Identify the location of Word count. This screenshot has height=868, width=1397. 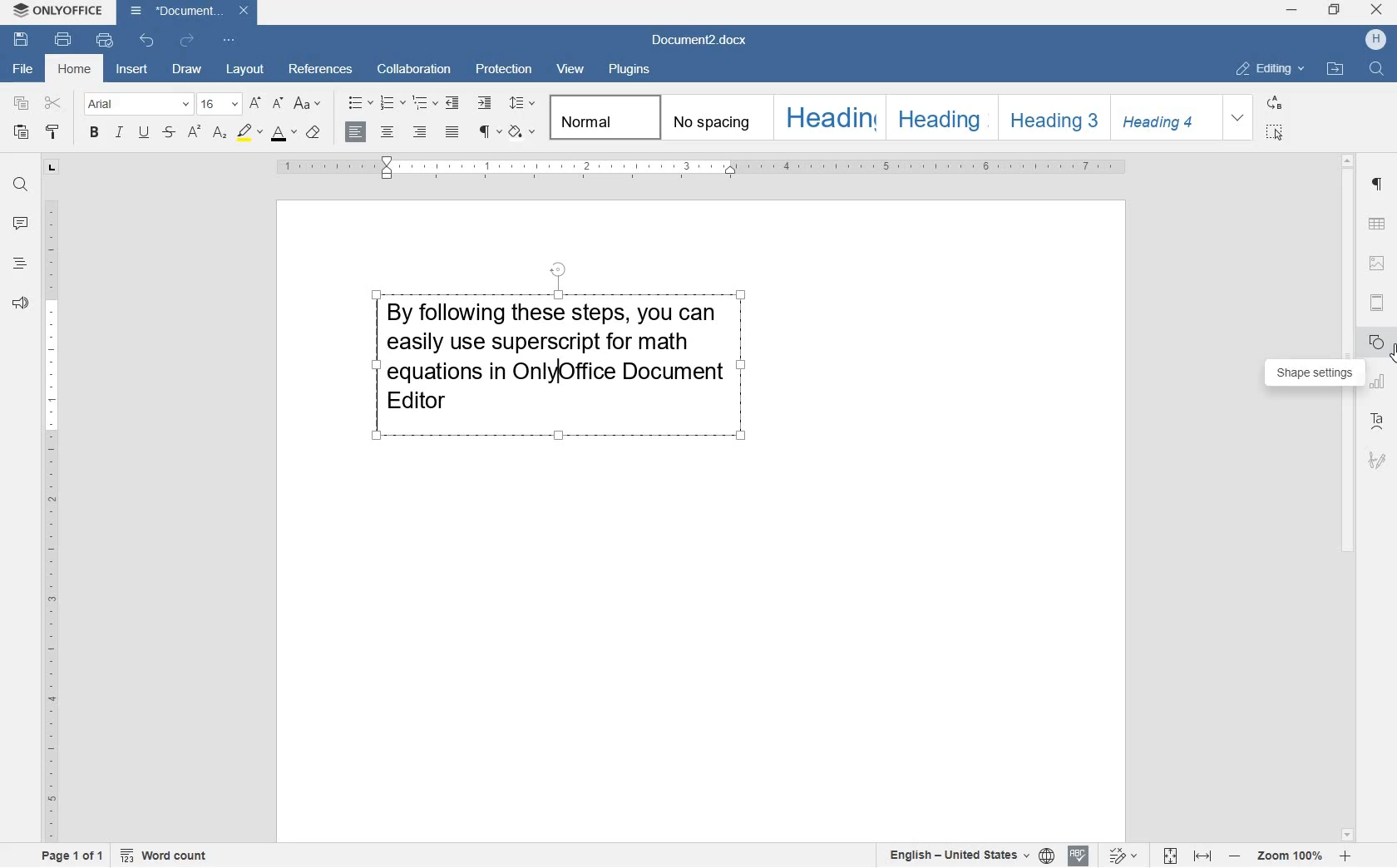
(163, 856).